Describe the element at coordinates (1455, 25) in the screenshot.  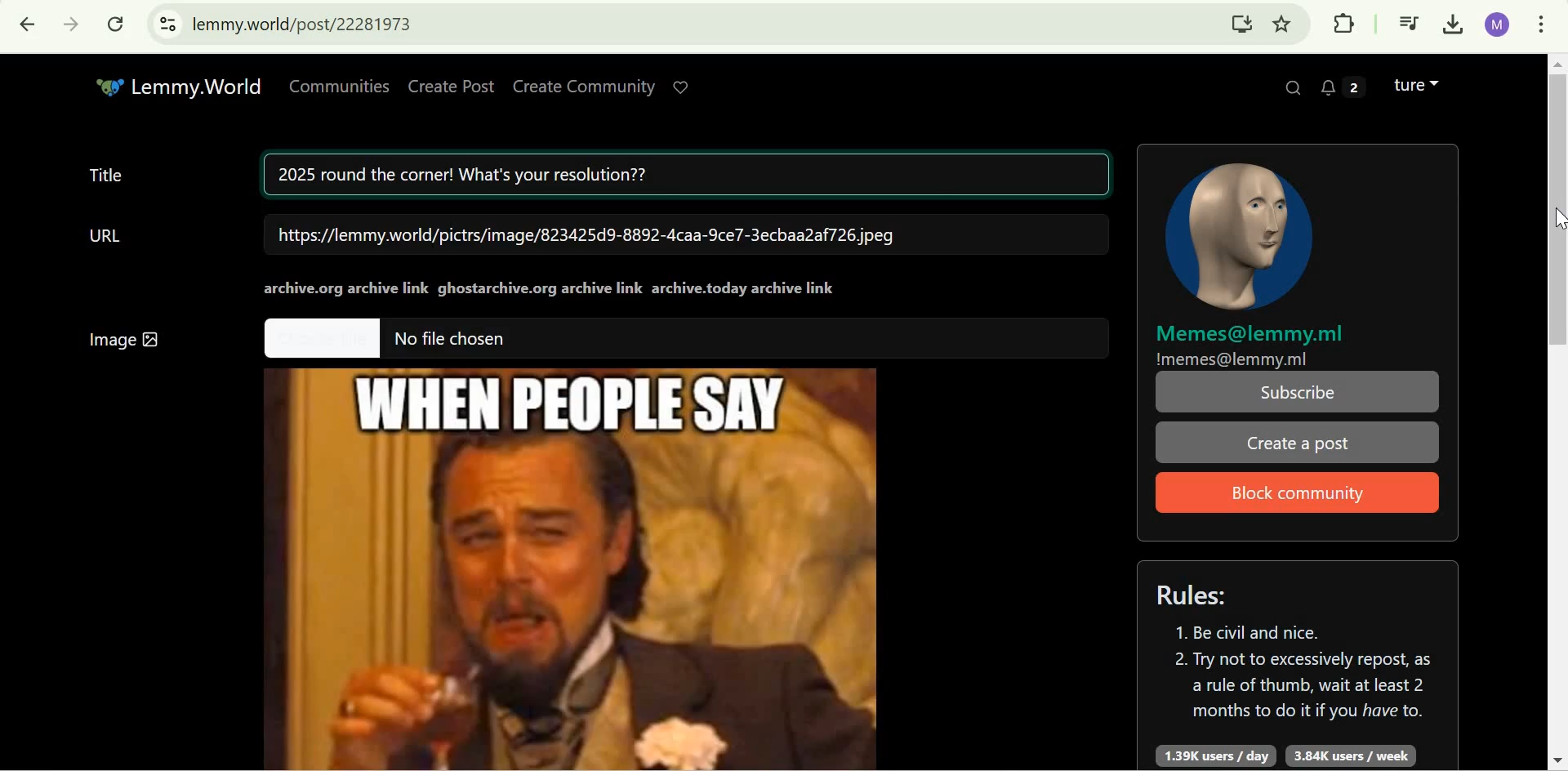
I see `Downloads` at that location.